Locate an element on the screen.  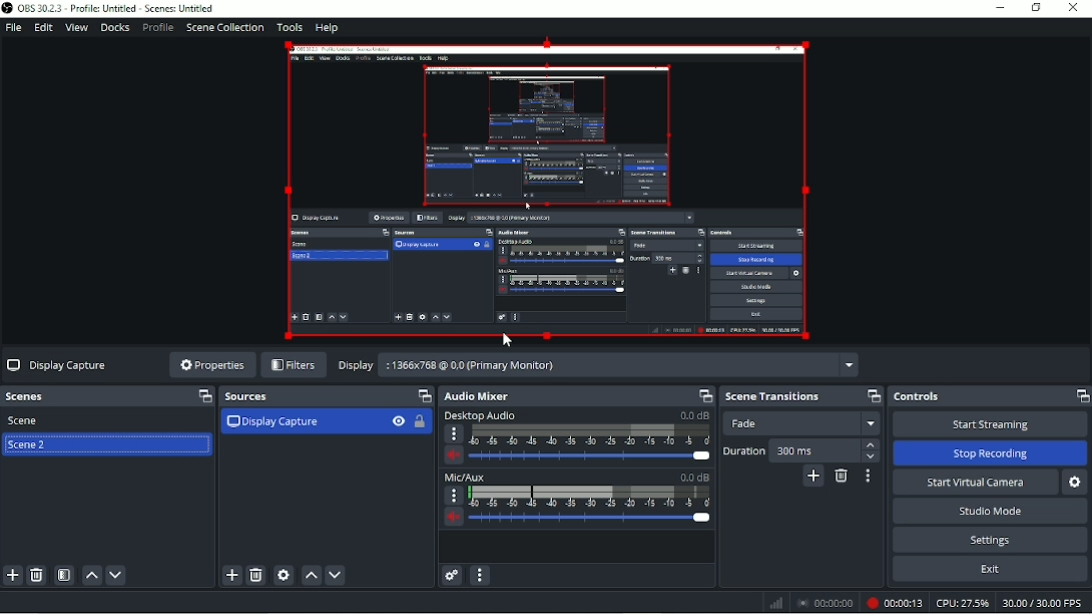
OBS 30.2.3 - Profile: Untitled - Scenes: Untitled is located at coordinates (109, 8).